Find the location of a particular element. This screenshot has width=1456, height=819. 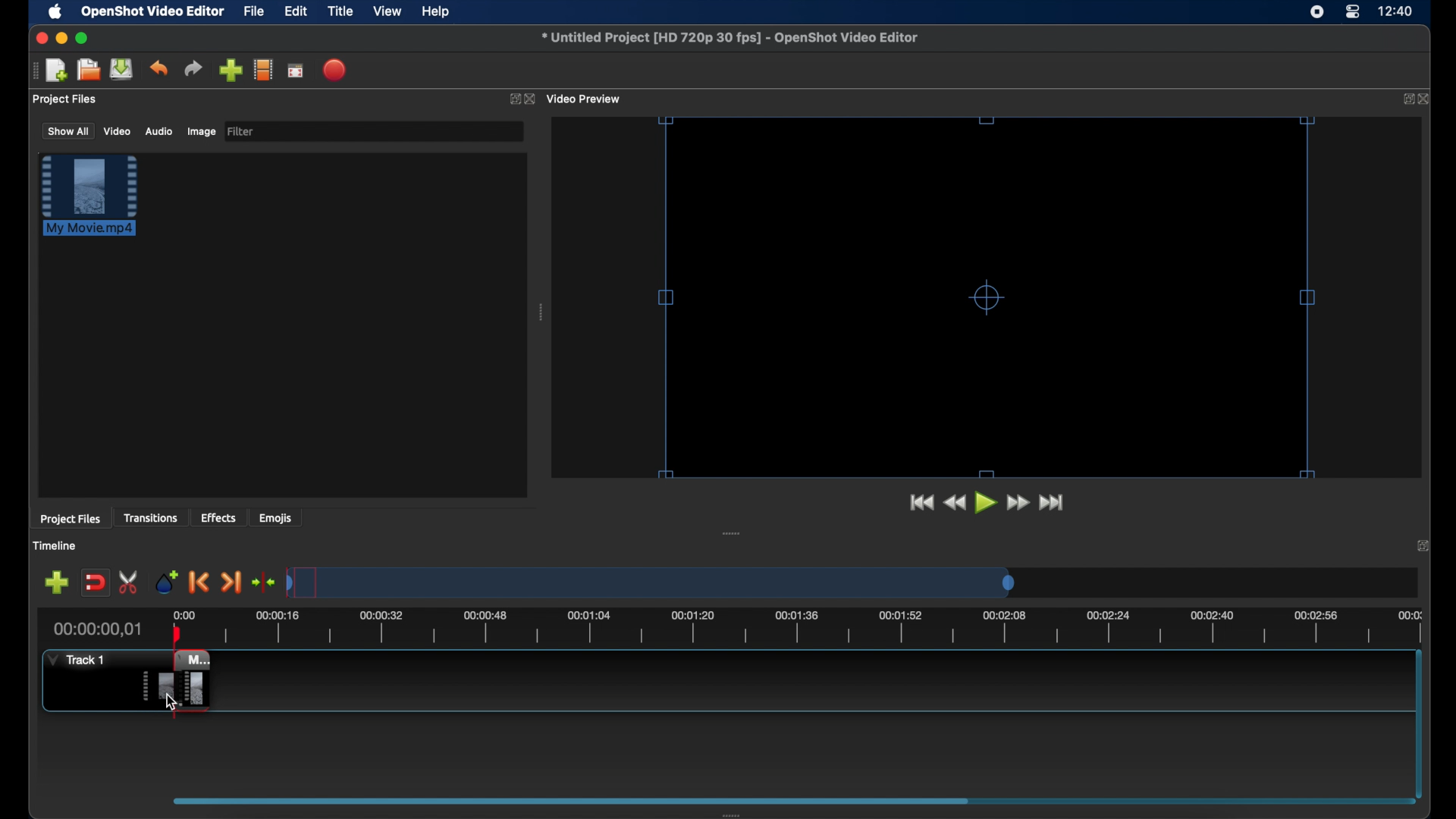

show all is located at coordinates (67, 130).